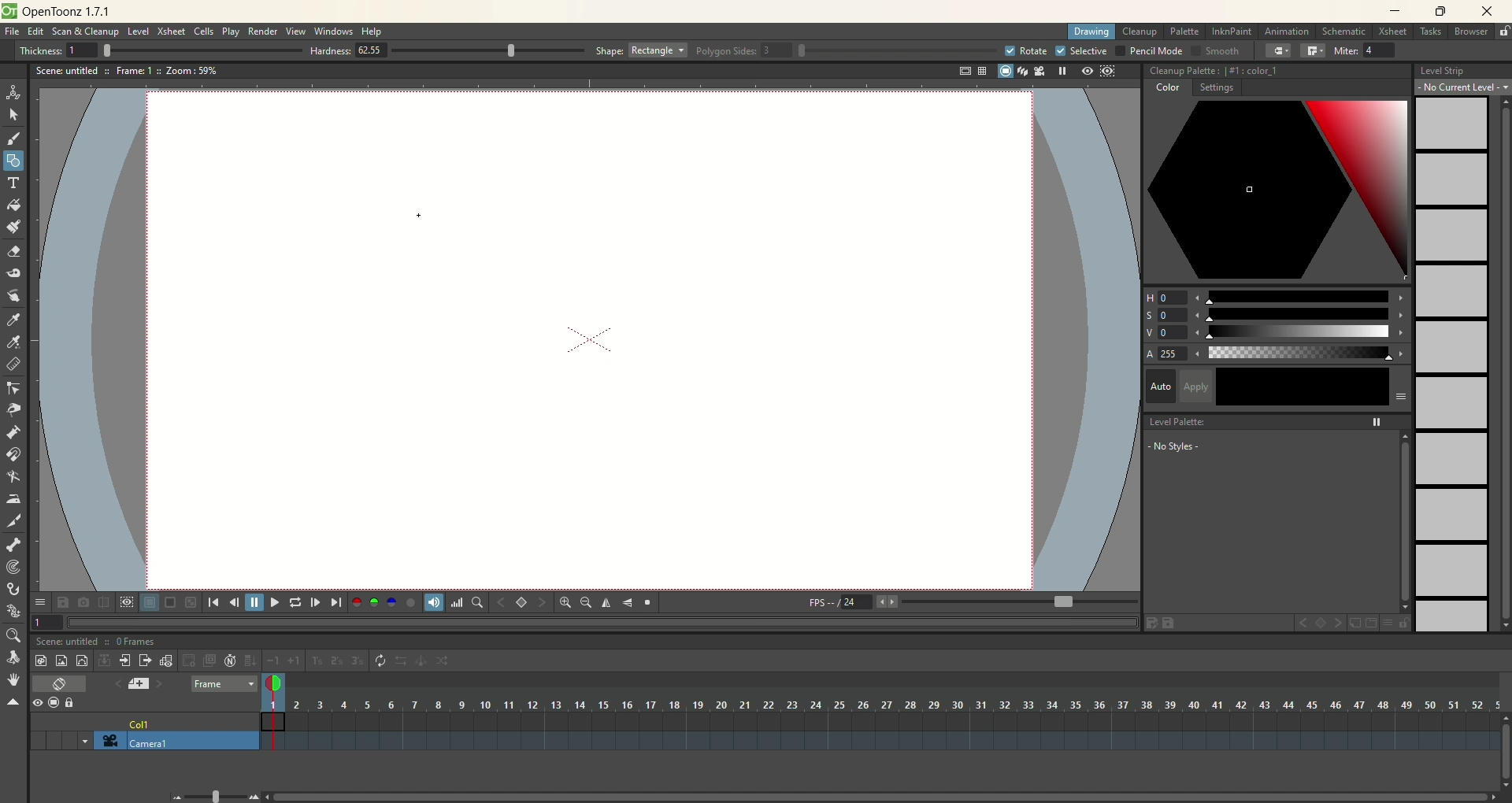  Describe the element at coordinates (15, 32) in the screenshot. I see `file` at that location.